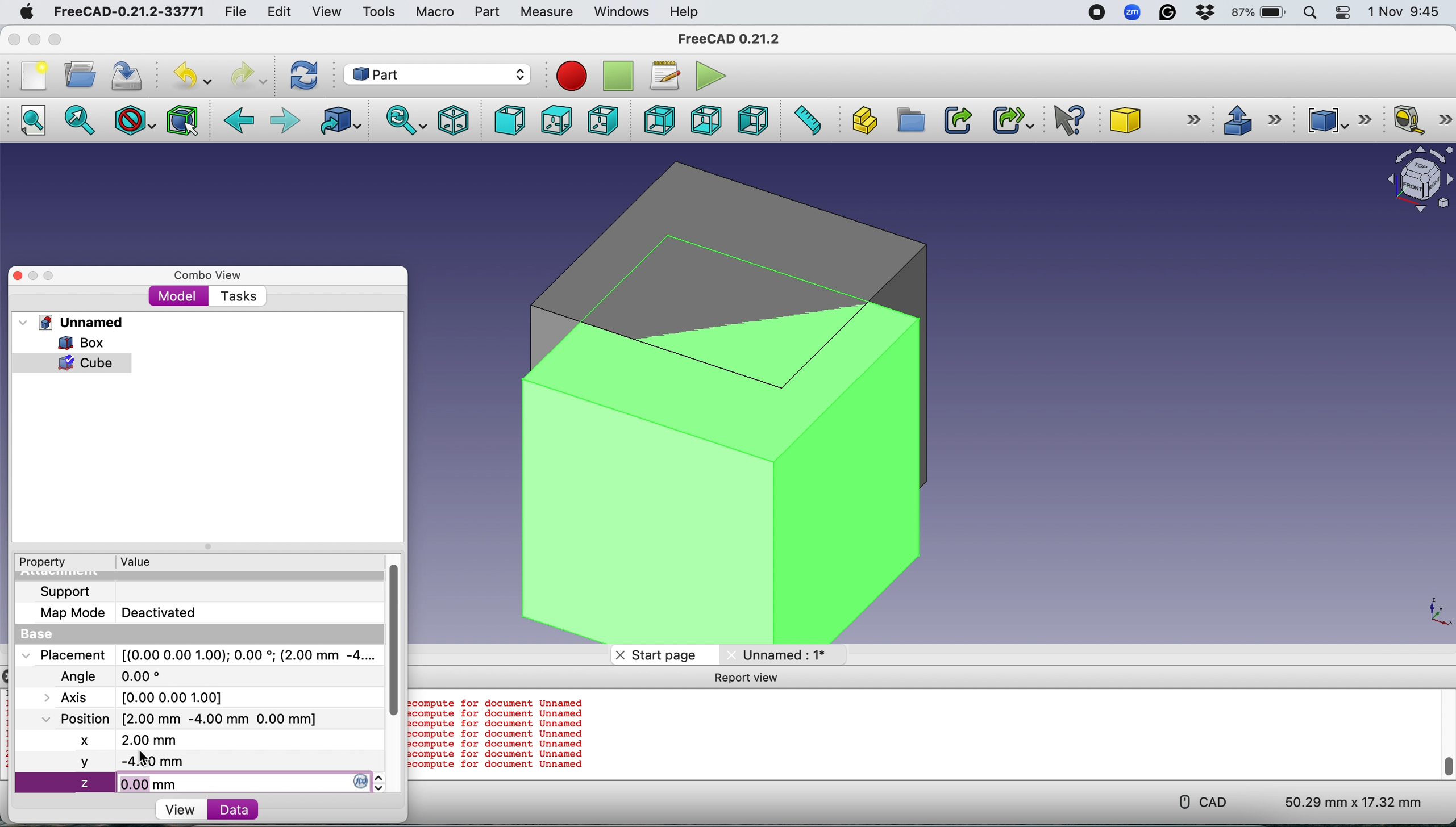  What do you see at coordinates (78, 364) in the screenshot?
I see `cube selected` at bounding box center [78, 364].